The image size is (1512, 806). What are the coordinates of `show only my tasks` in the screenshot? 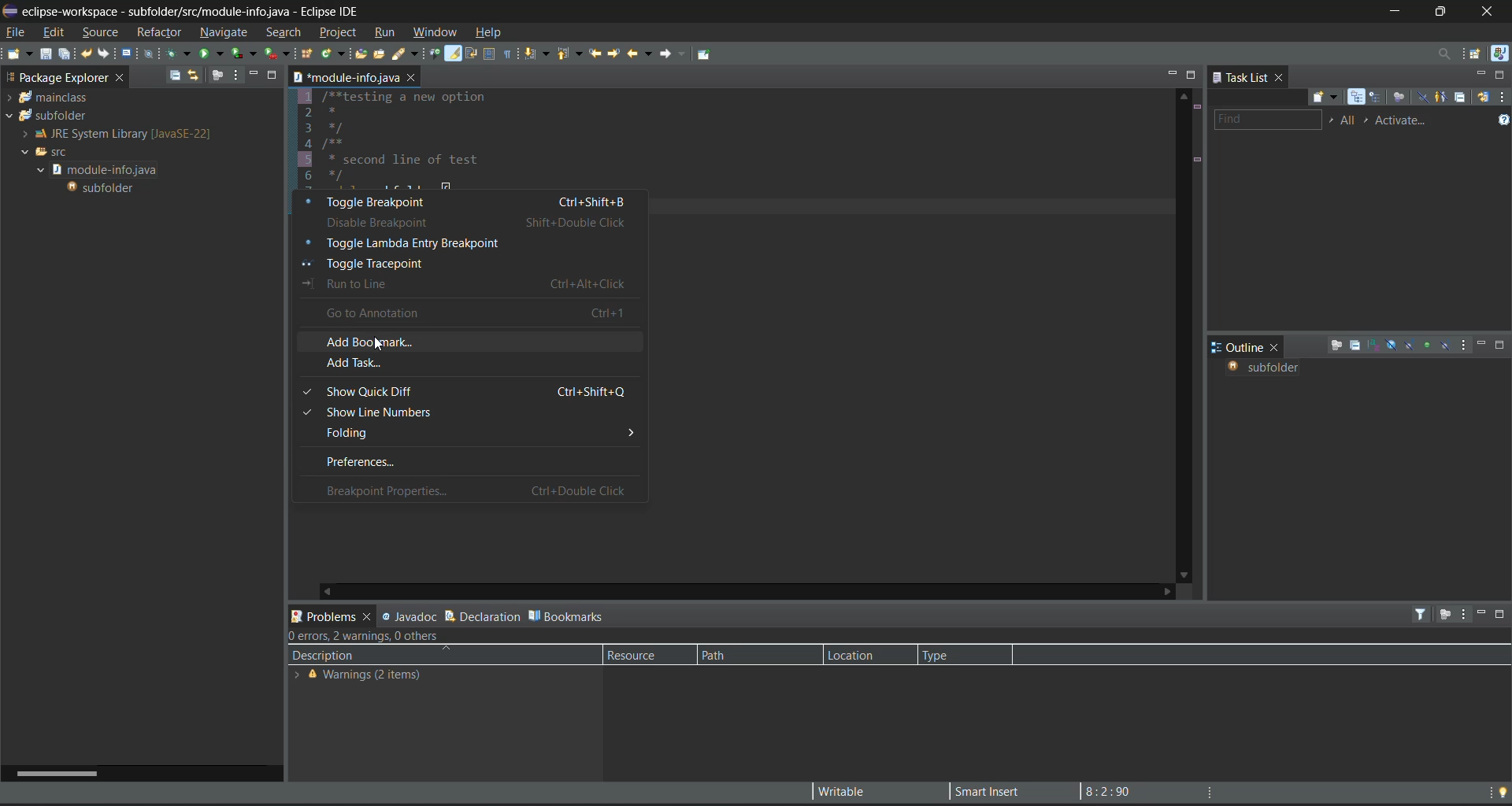 It's located at (1442, 97).